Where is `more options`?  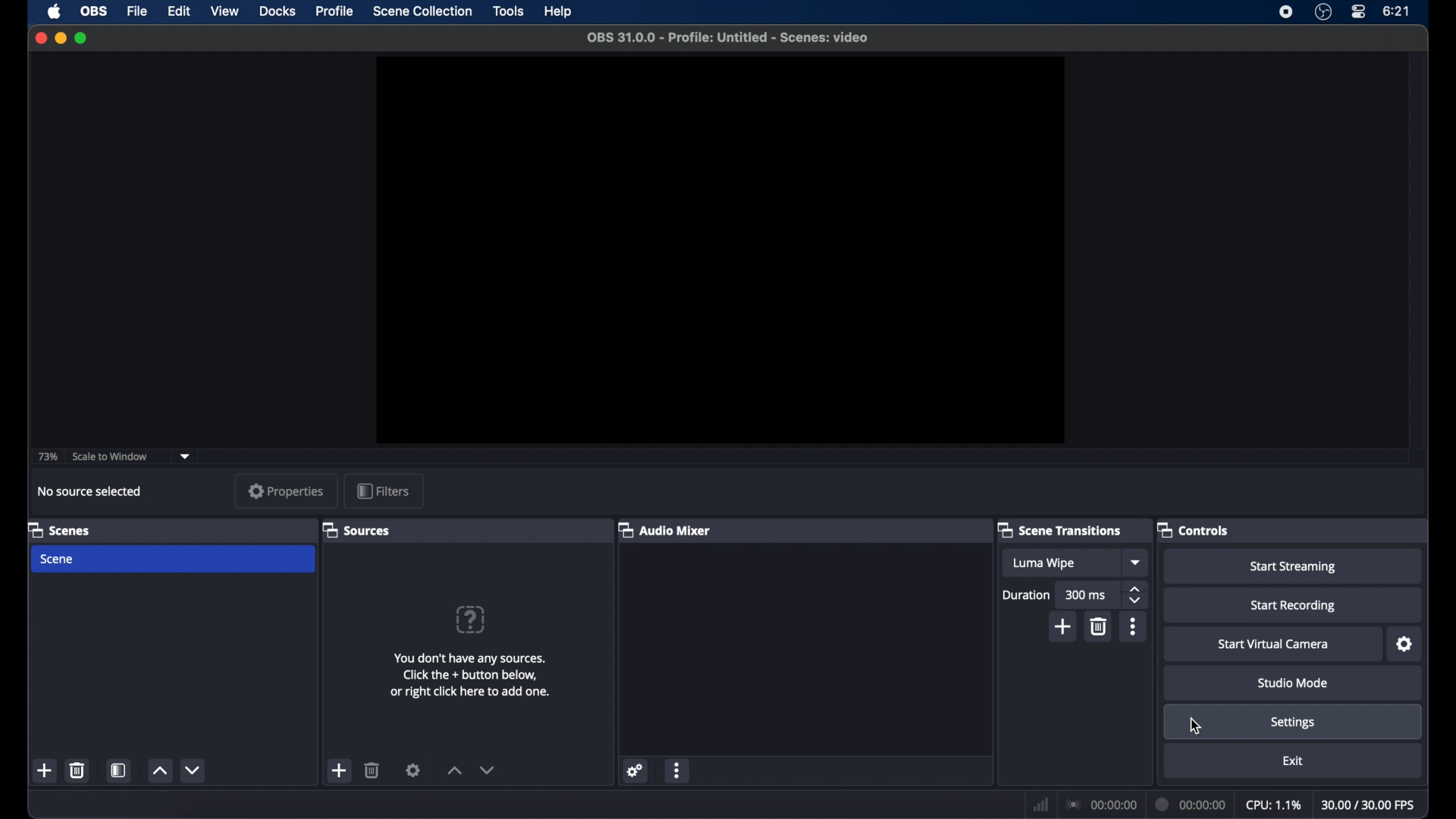 more options is located at coordinates (1133, 626).